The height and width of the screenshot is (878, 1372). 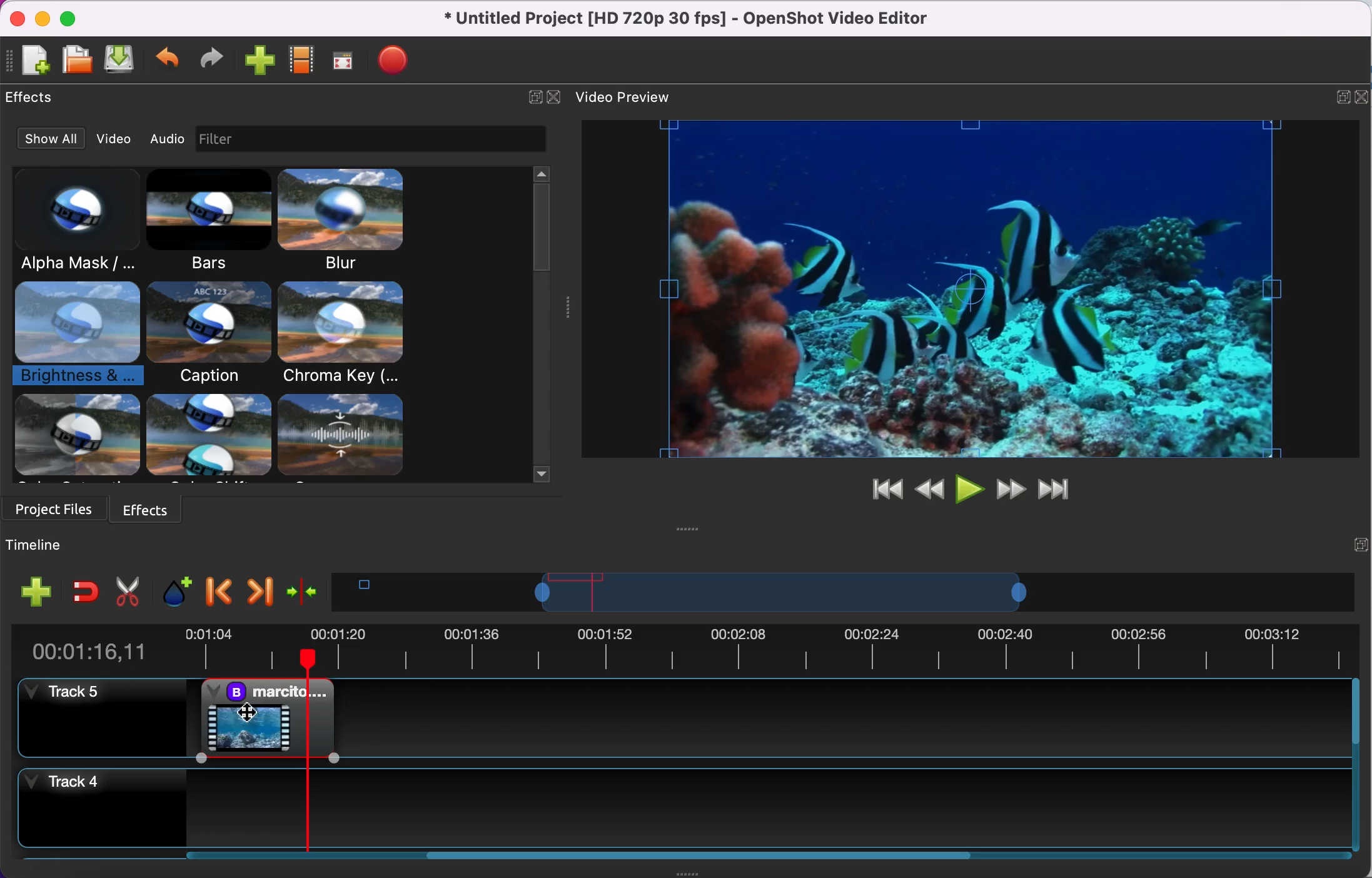 I want to click on image, so click(x=219, y=139).